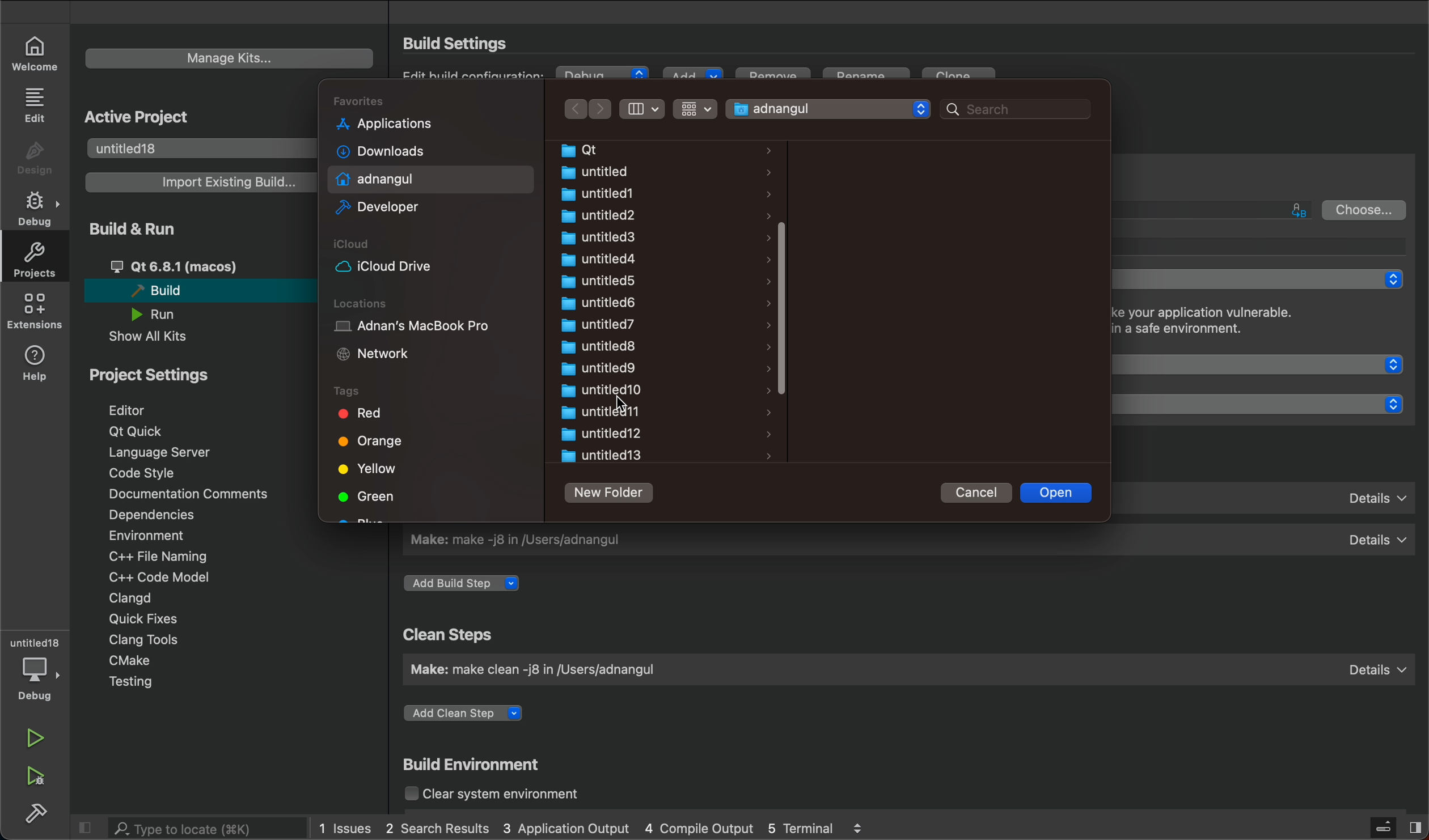 This screenshot has height=840, width=1429. What do you see at coordinates (34, 263) in the screenshot?
I see `projects` at bounding box center [34, 263].